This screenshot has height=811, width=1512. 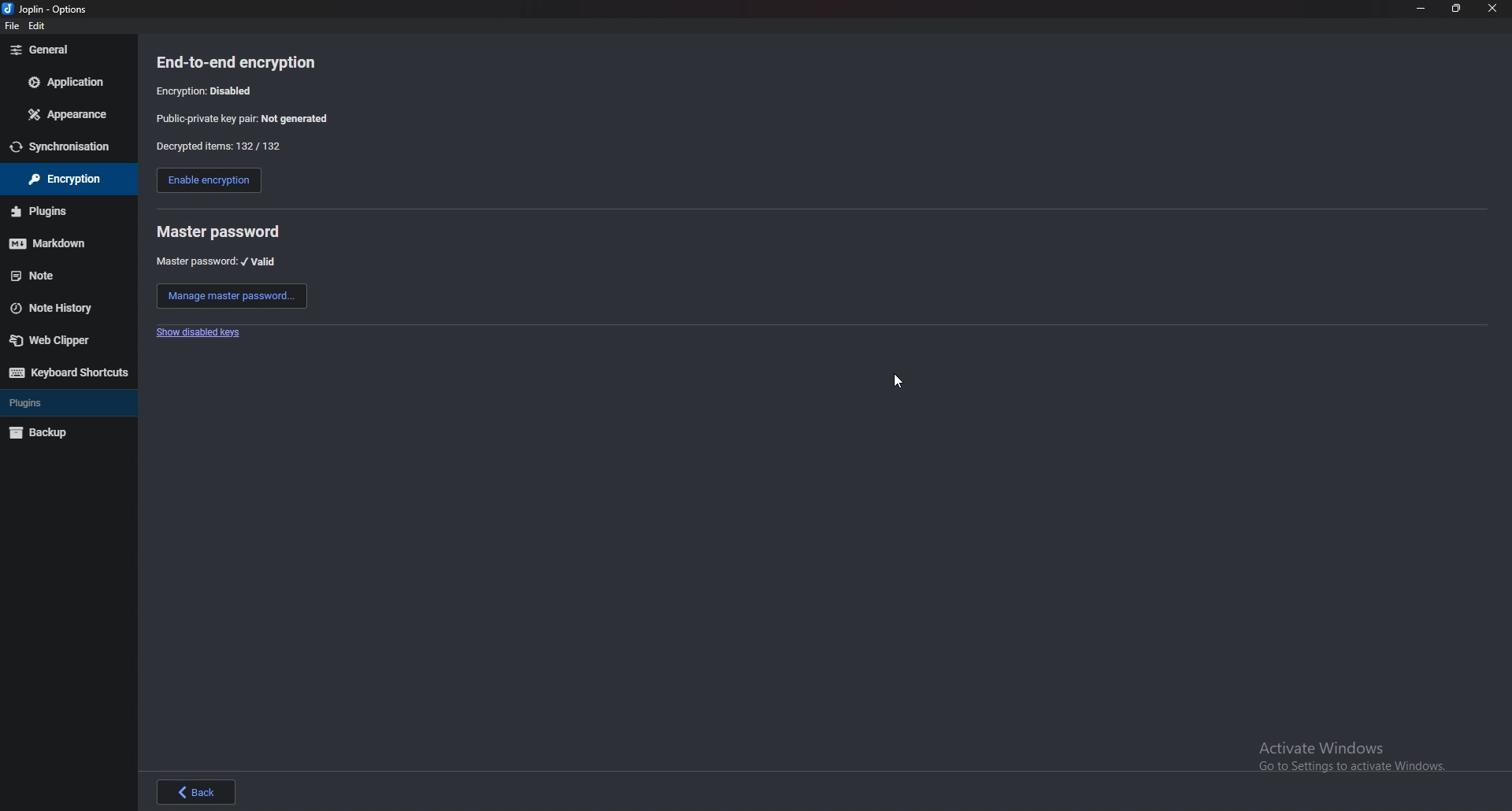 What do you see at coordinates (66, 50) in the screenshot?
I see `general` at bounding box center [66, 50].